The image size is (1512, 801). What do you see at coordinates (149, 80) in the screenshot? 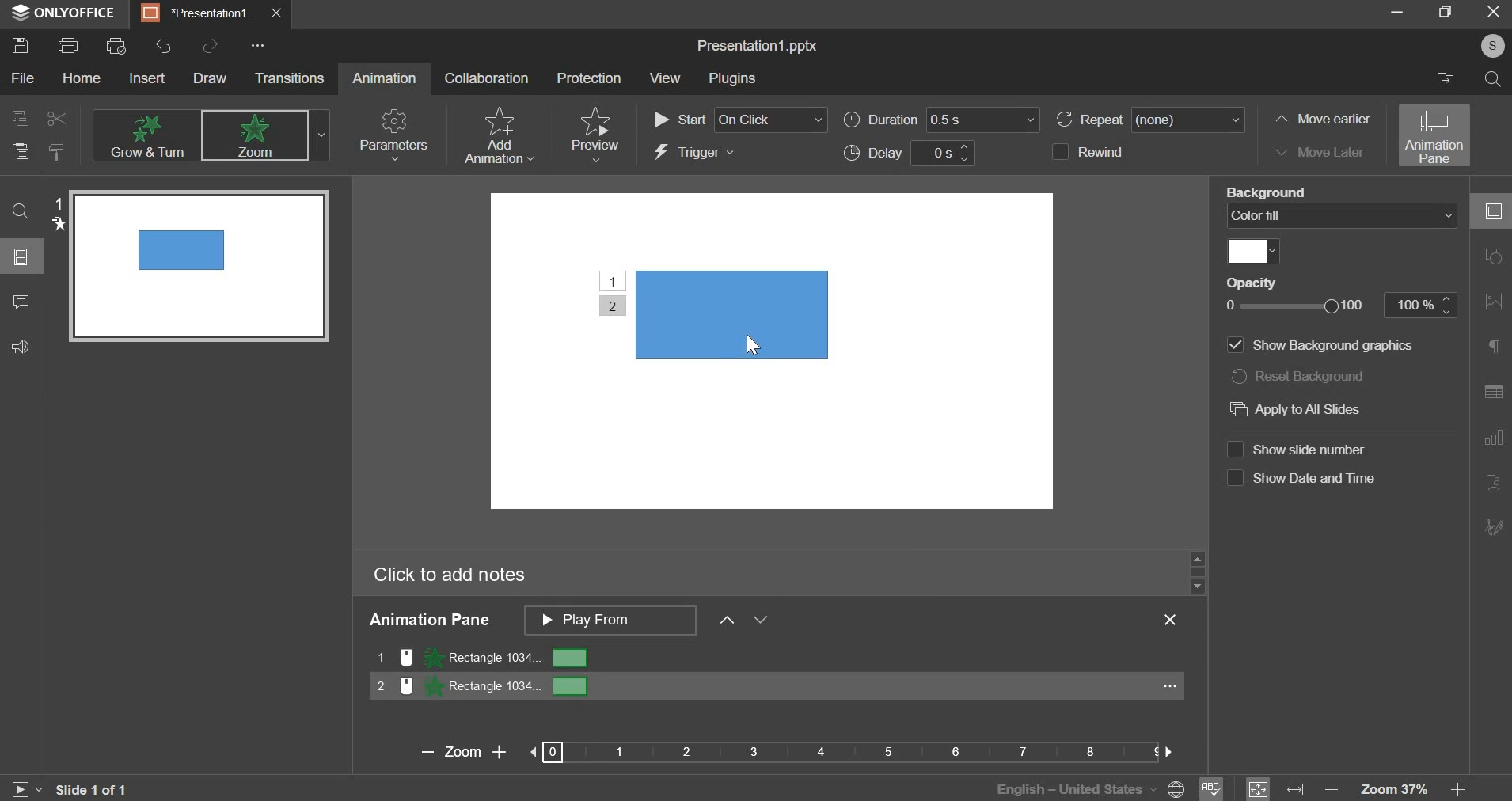
I see `insert` at bounding box center [149, 80].